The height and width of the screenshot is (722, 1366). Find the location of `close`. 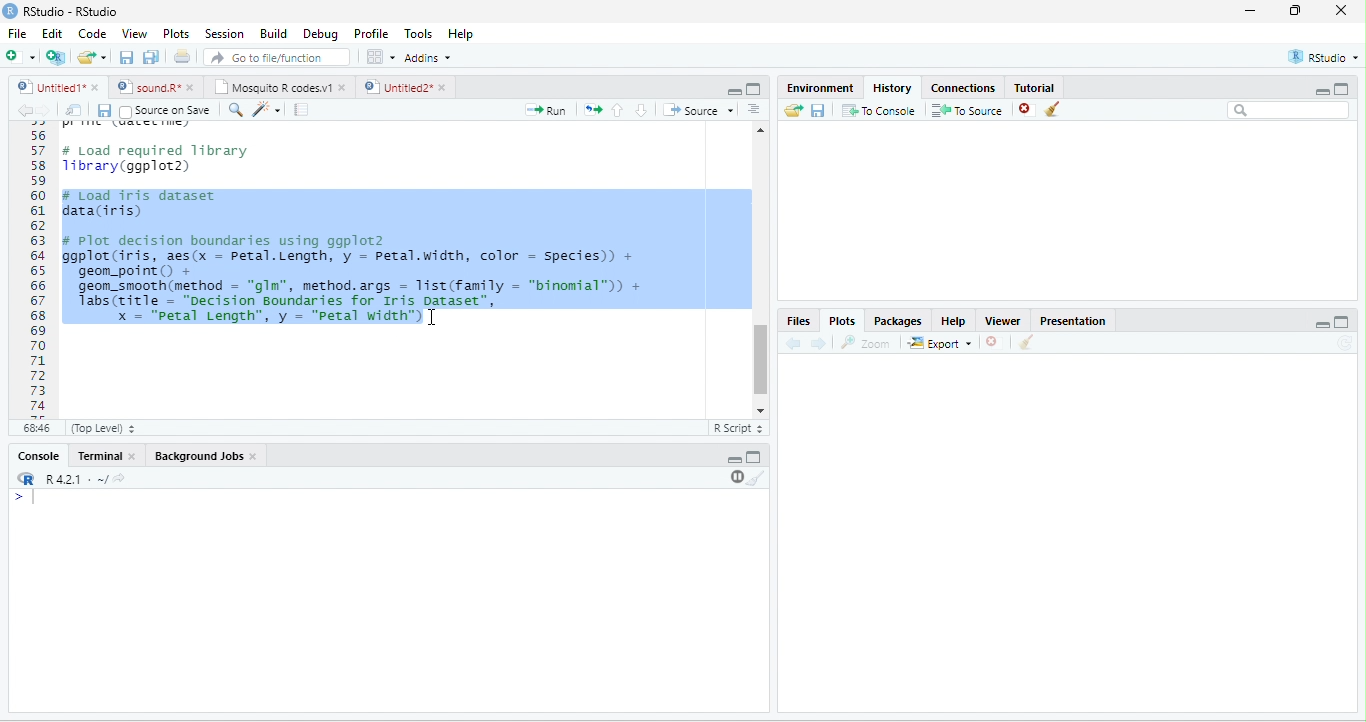

close is located at coordinates (1341, 10).